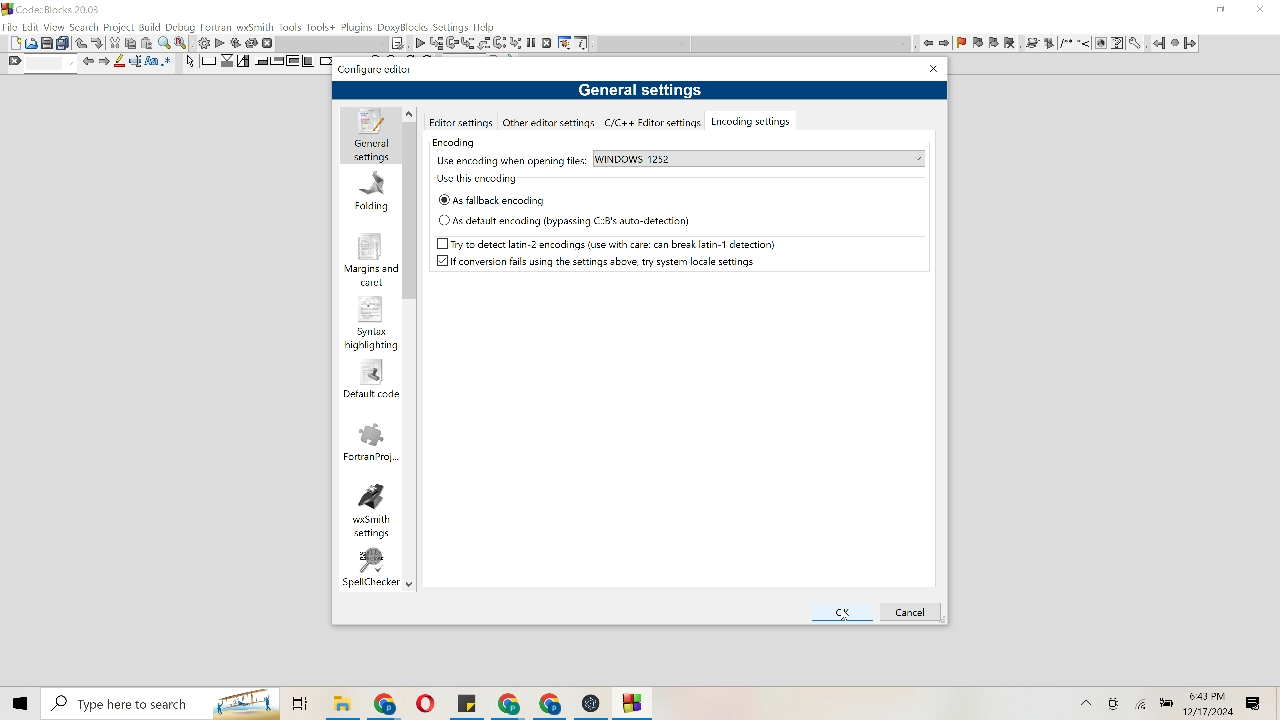 Image resolution: width=1280 pixels, height=720 pixels. What do you see at coordinates (182, 43) in the screenshot?
I see `Replace` at bounding box center [182, 43].